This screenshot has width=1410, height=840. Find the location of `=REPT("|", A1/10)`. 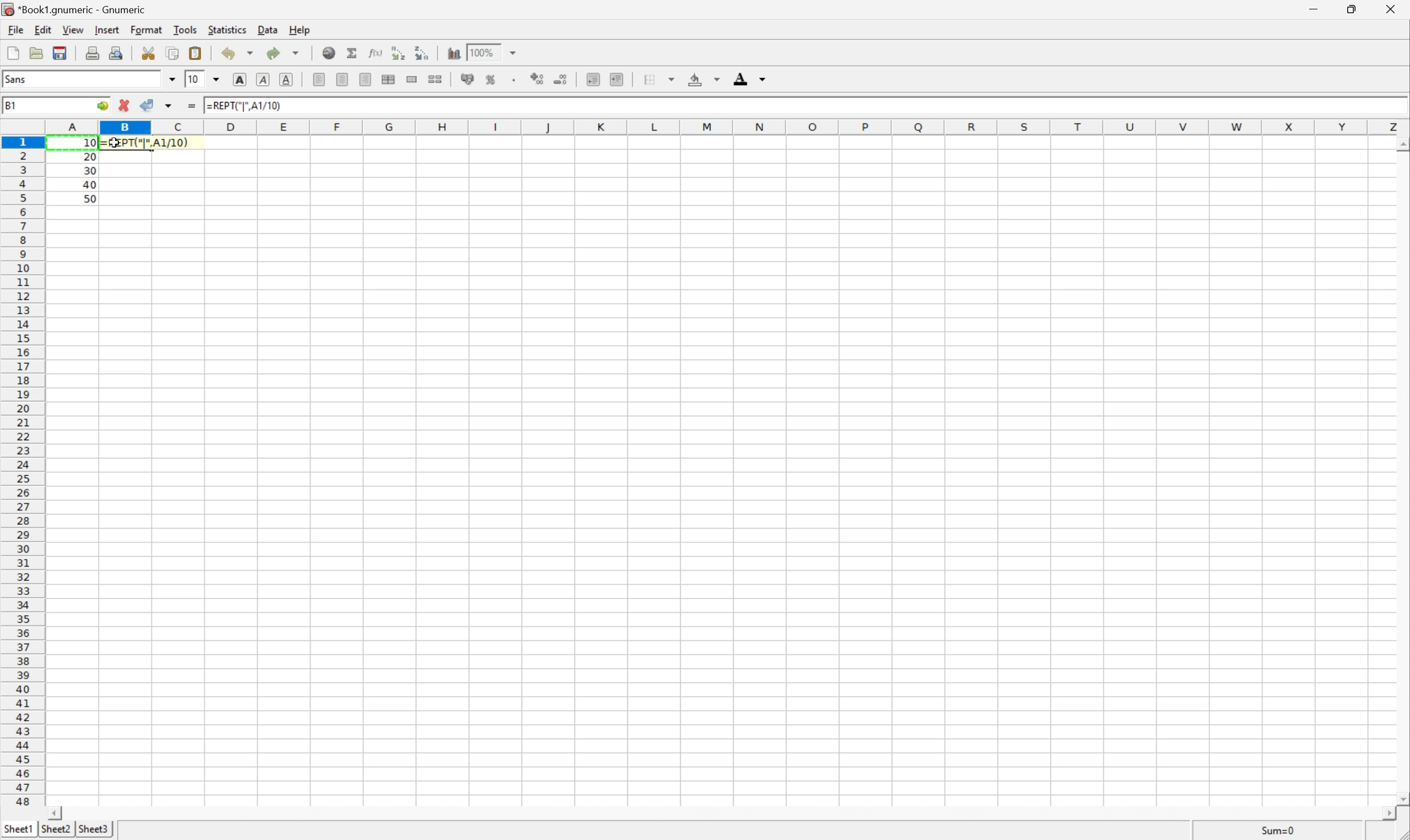

=REPT("|", A1/10) is located at coordinates (245, 105).